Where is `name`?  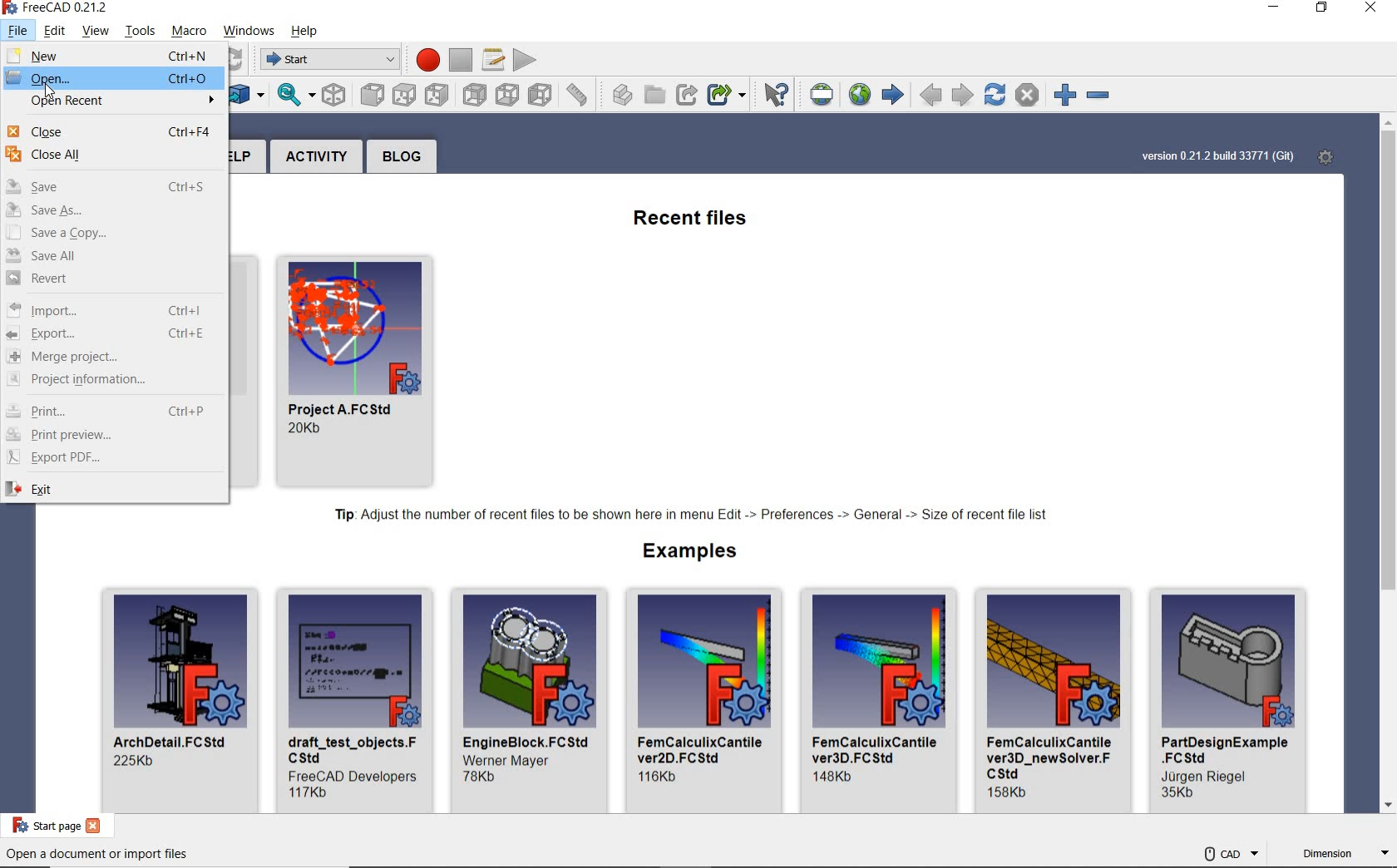 name is located at coordinates (347, 409).